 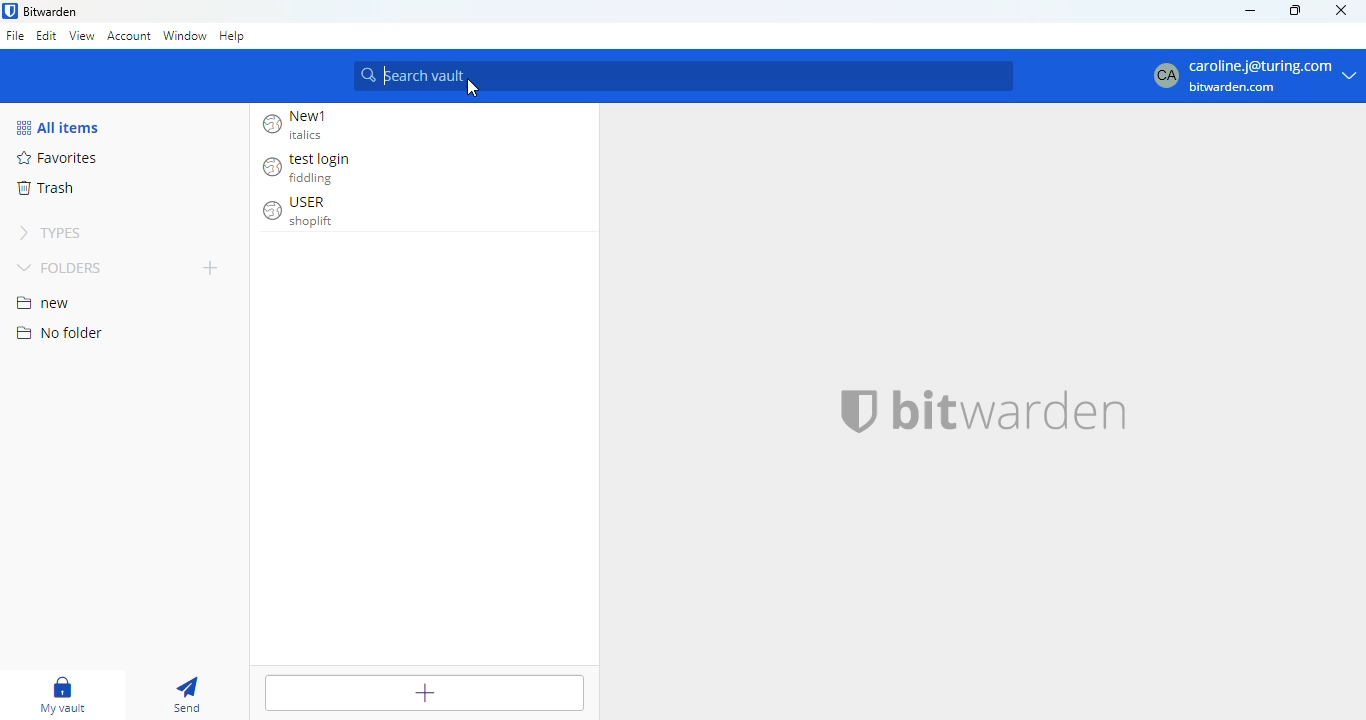 What do you see at coordinates (189, 696) in the screenshot?
I see `send` at bounding box center [189, 696].